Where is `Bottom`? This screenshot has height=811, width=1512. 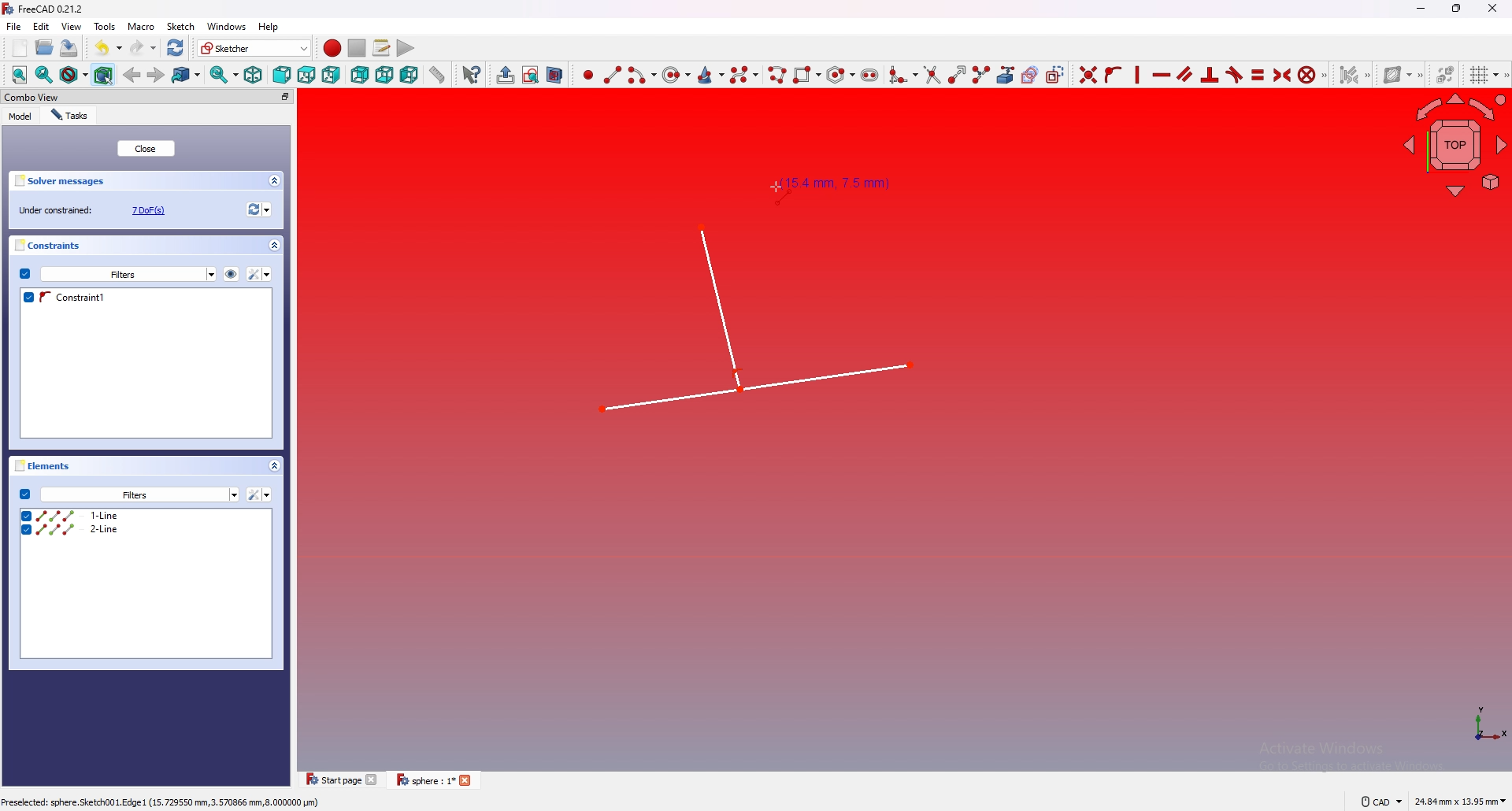 Bottom is located at coordinates (384, 74).